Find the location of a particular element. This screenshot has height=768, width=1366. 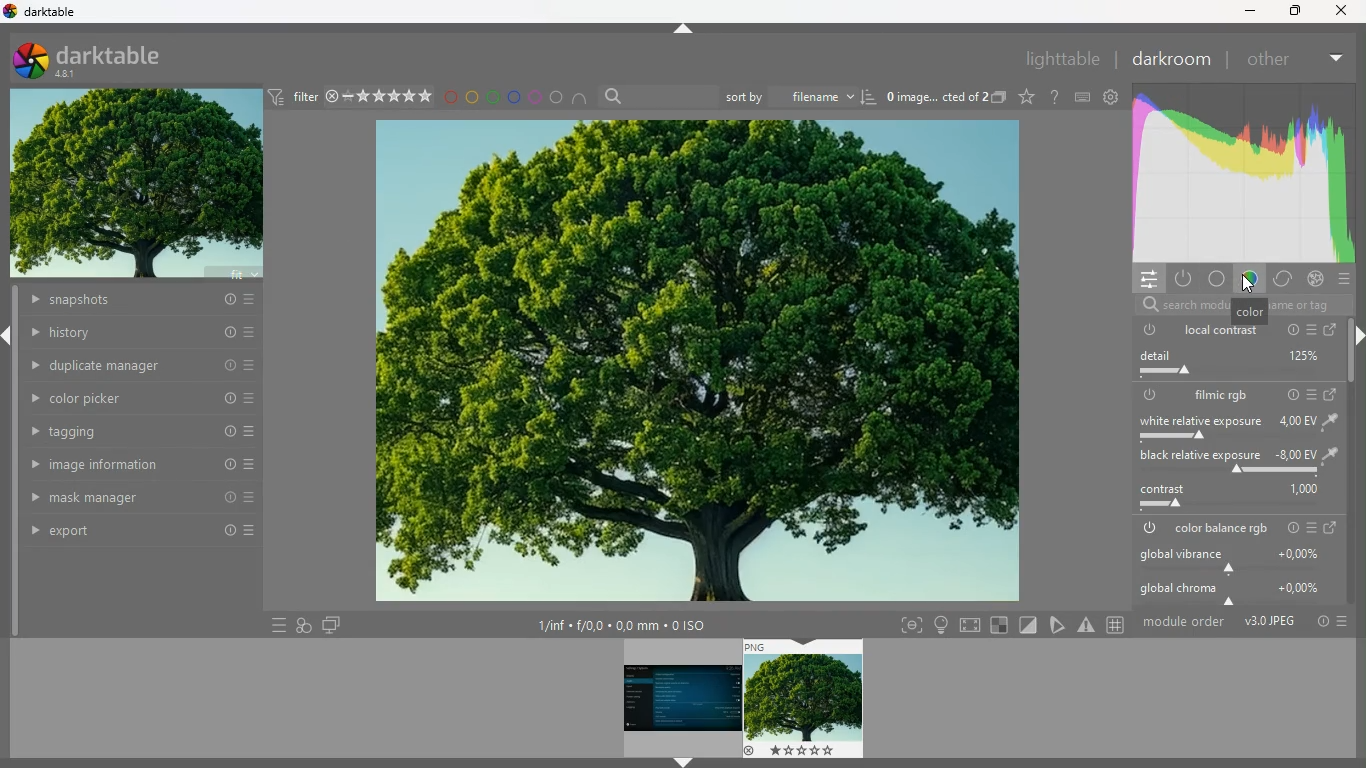

red is located at coordinates (450, 99).